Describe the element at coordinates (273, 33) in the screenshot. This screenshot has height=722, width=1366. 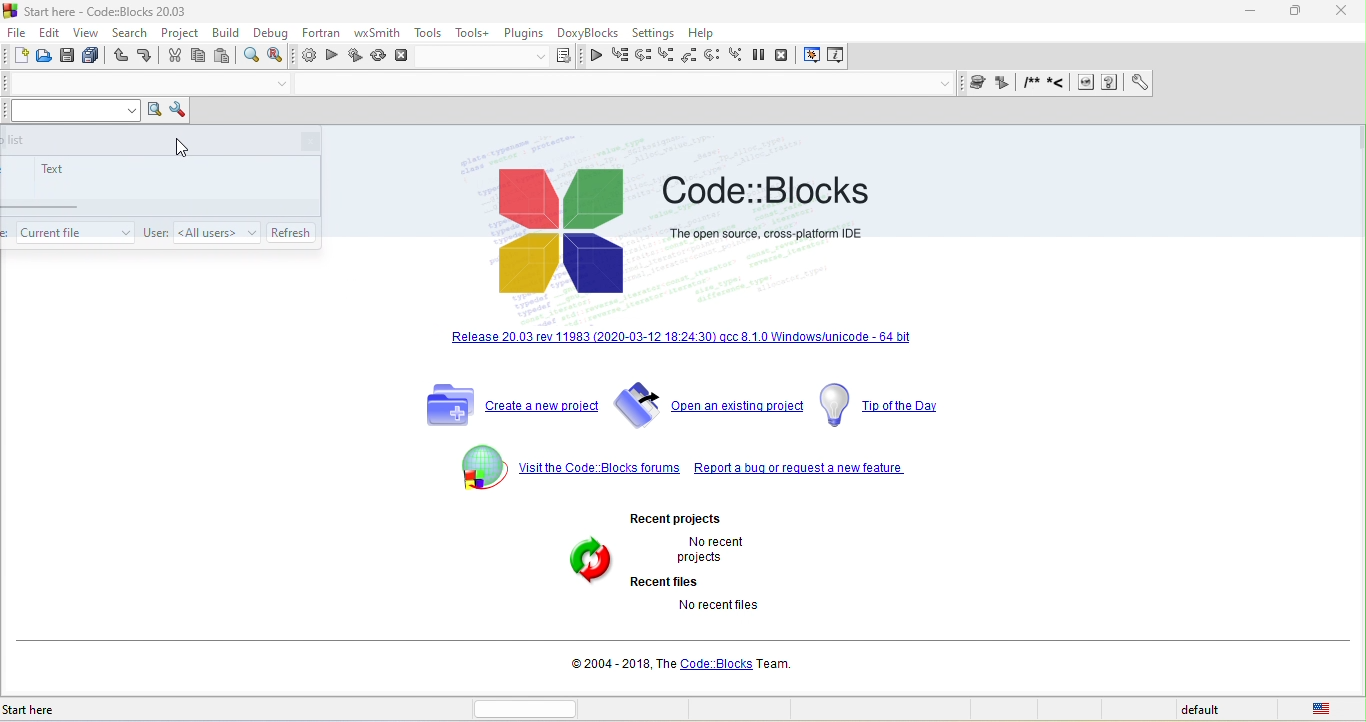
I see `debug` at that location.